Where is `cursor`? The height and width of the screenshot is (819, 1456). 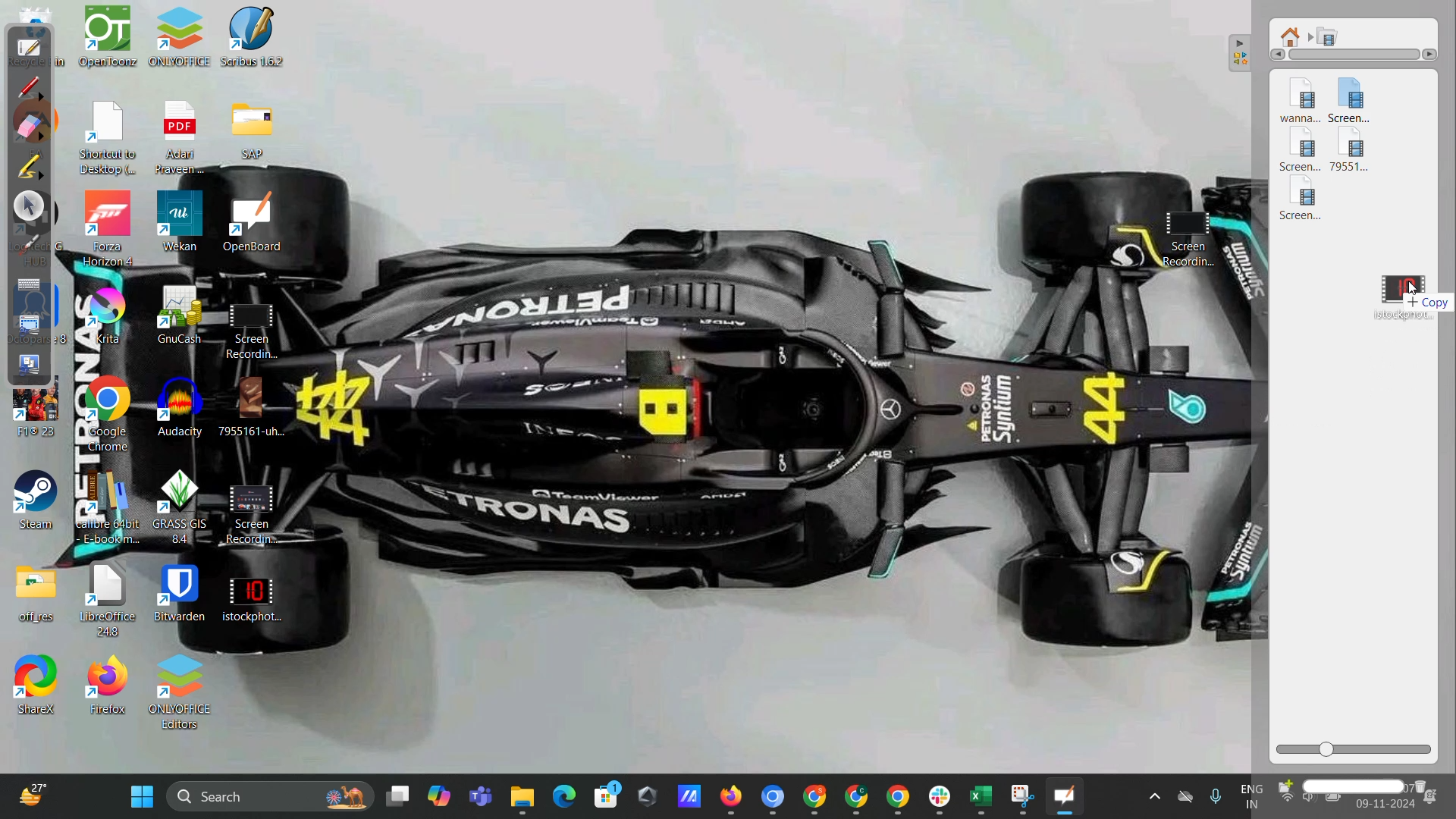
cursor is located at coordinates (1415, 289).